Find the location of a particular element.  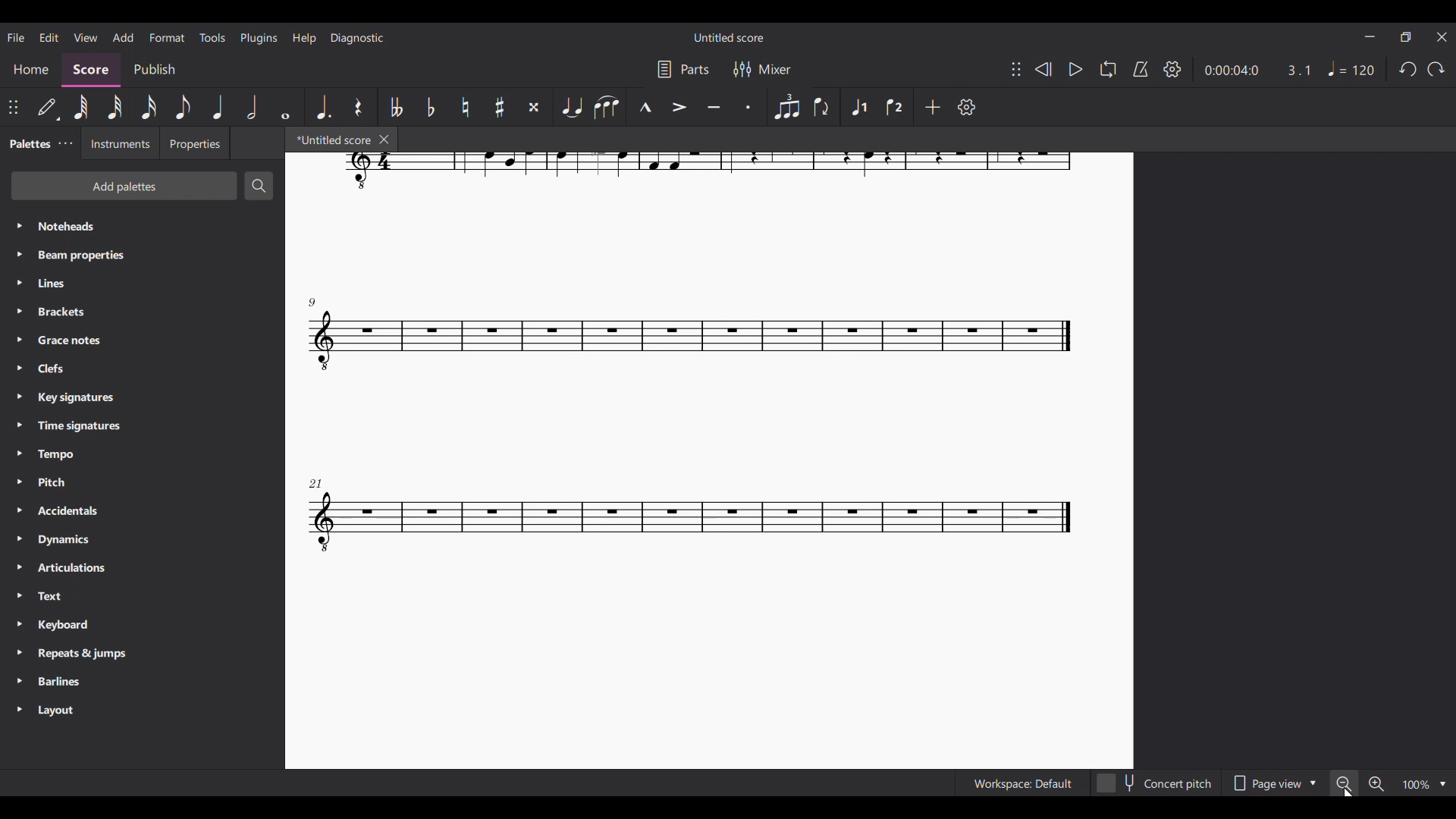

Keyboard is located at coordinates (142, 625).